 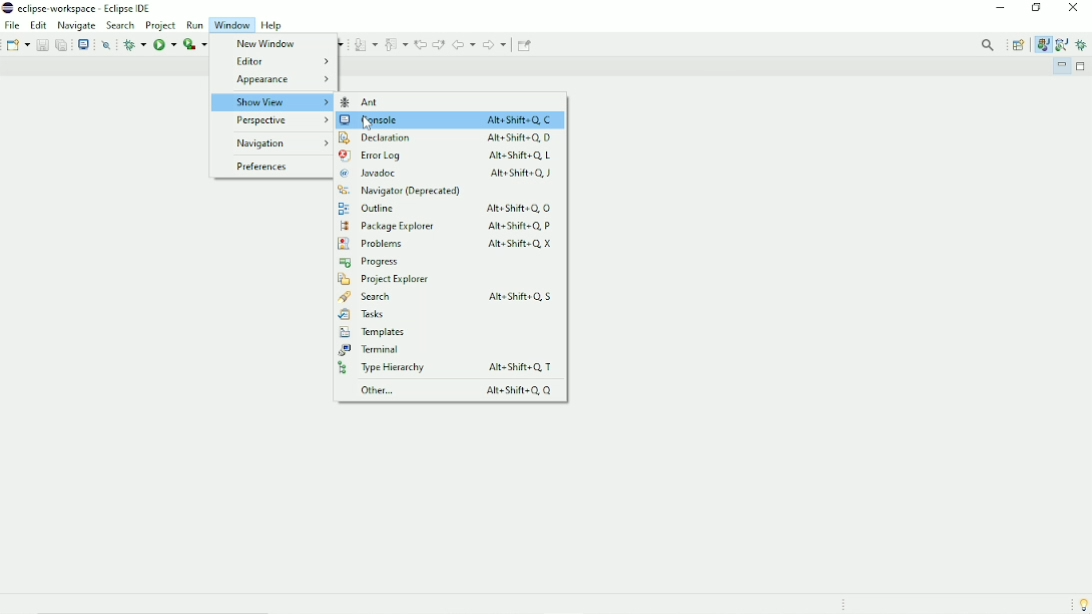 What do you see at coordinates (134, 44) in the screenshot?
I see `Debug` at bounding box center [134, 44].